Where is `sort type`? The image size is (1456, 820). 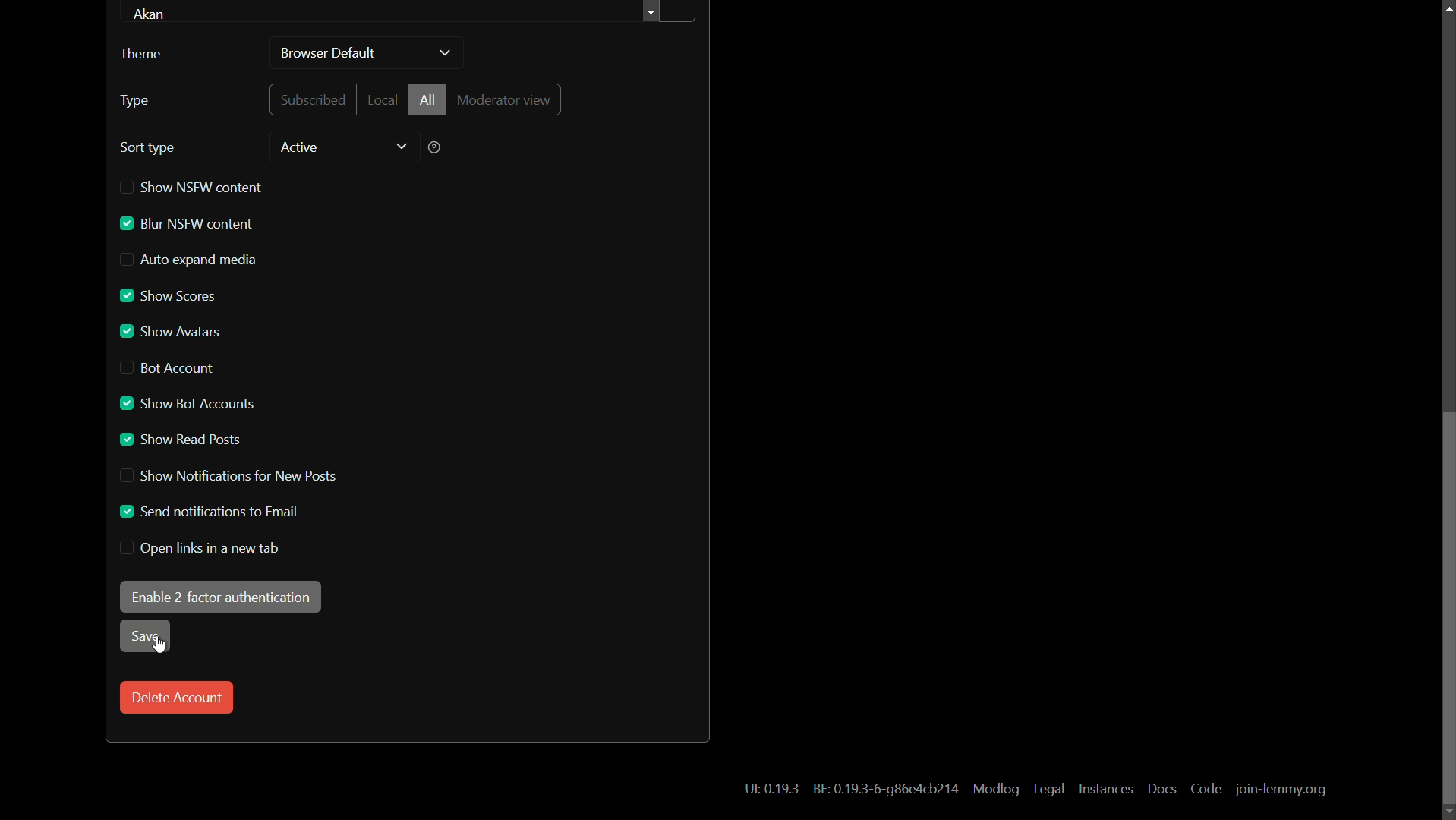
sort type is located at coordinates (148, 148).